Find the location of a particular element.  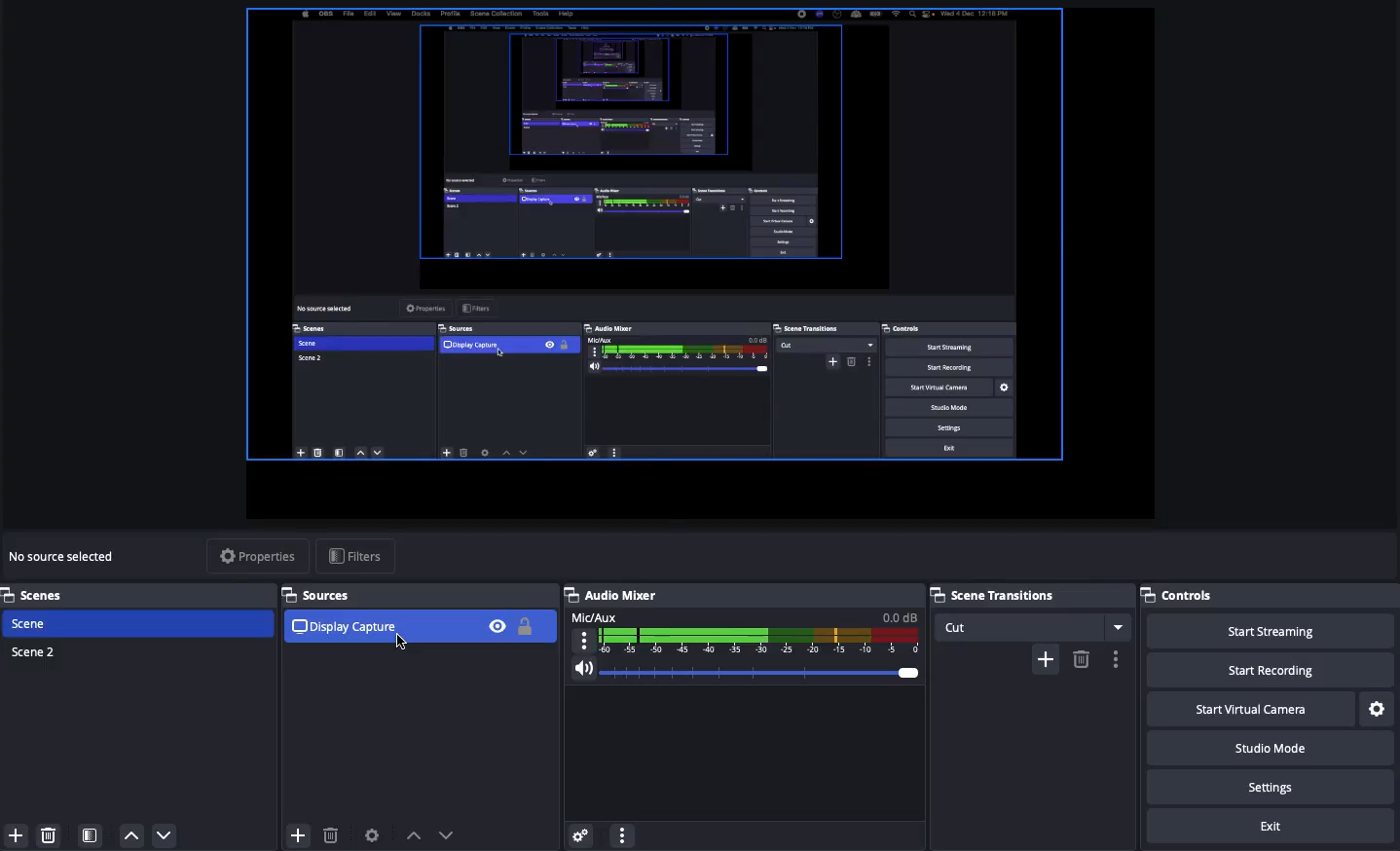

Advanced audio properties is located at coordinates (581, 832).